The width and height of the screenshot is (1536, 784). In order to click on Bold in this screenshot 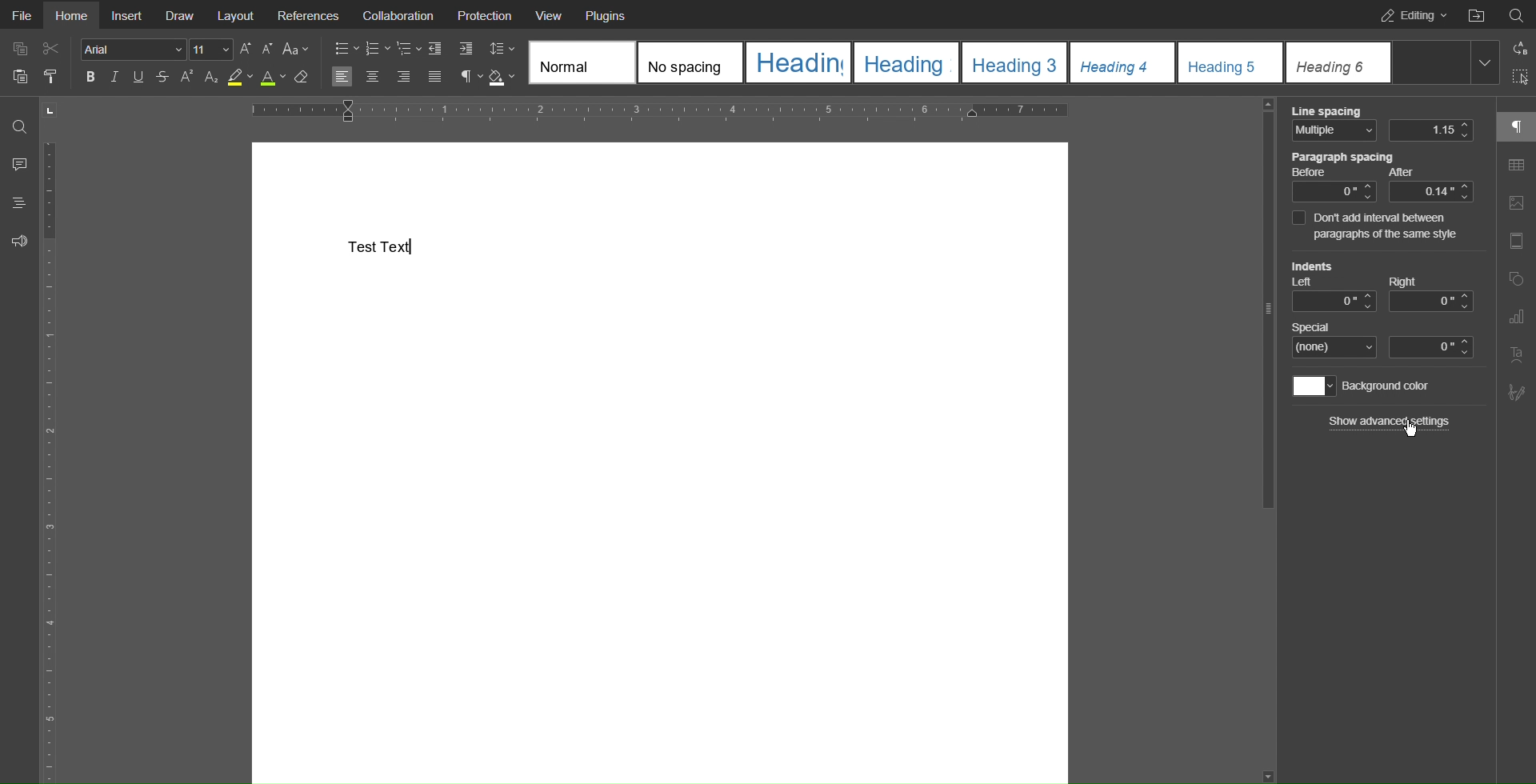, I will do `click(93, 77)`.